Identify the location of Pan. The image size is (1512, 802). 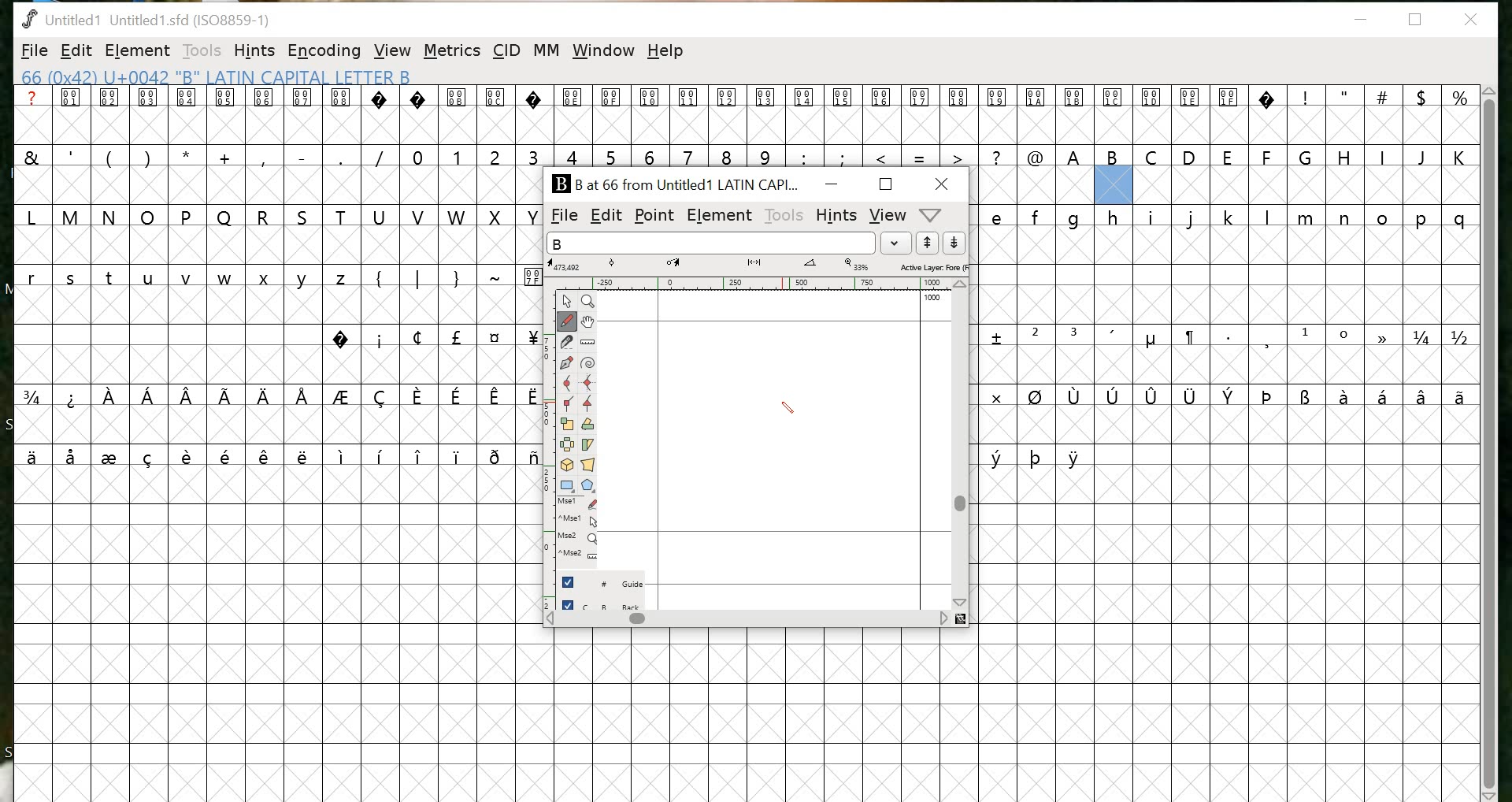
(588, 323).